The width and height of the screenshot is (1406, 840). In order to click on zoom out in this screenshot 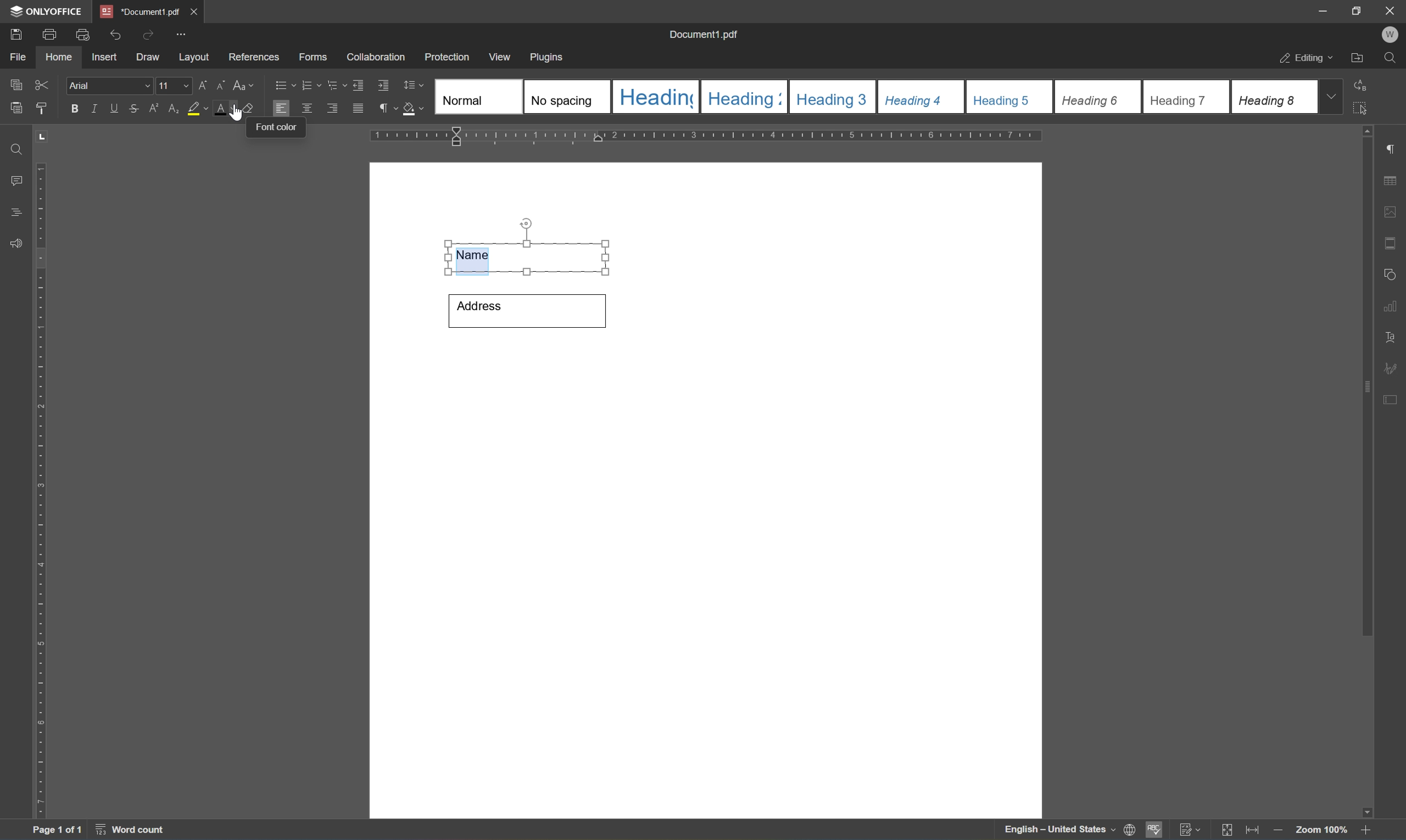, I will do `click(1369, 830)`.